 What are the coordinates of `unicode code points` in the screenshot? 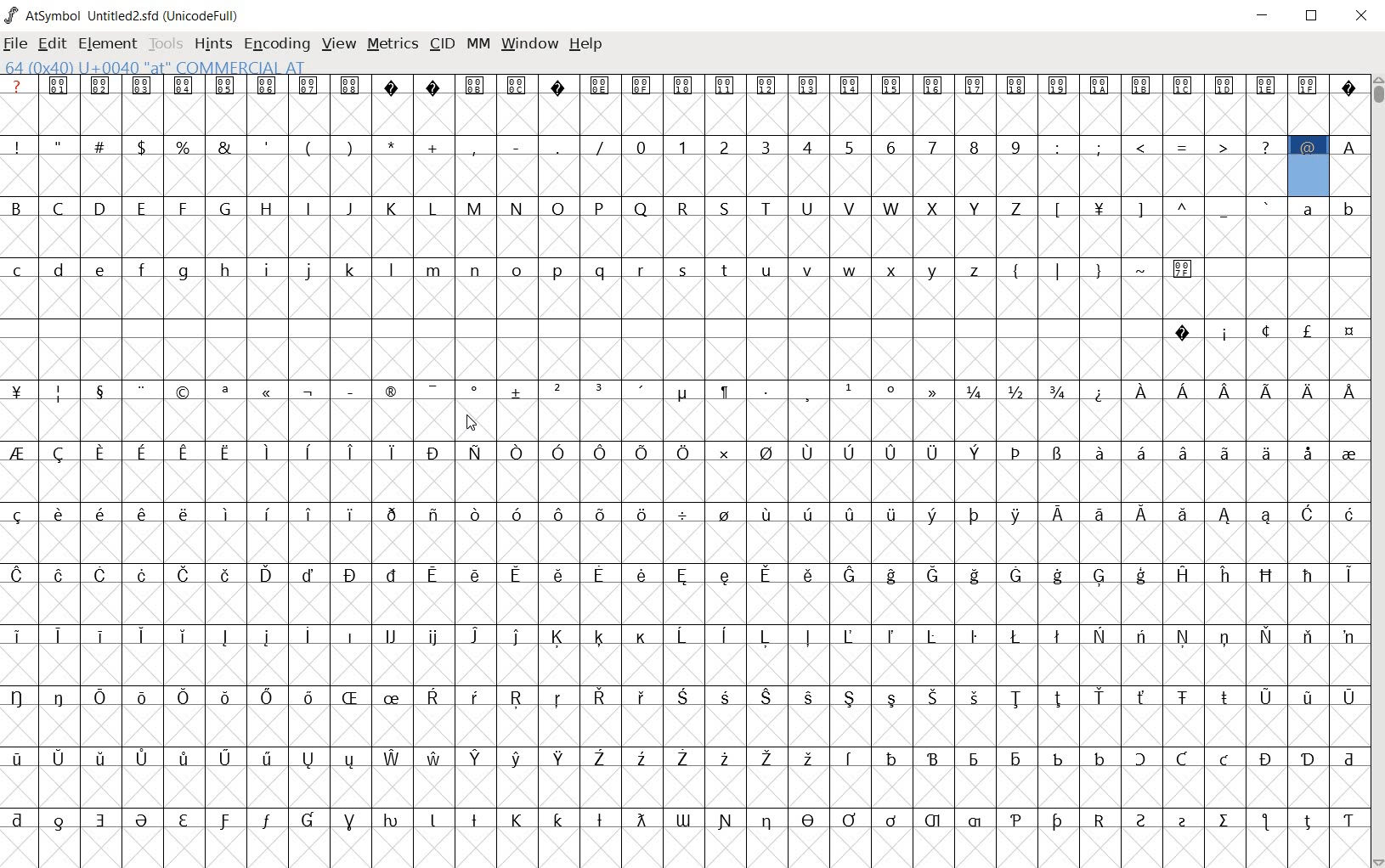 It's located at (958, 85).